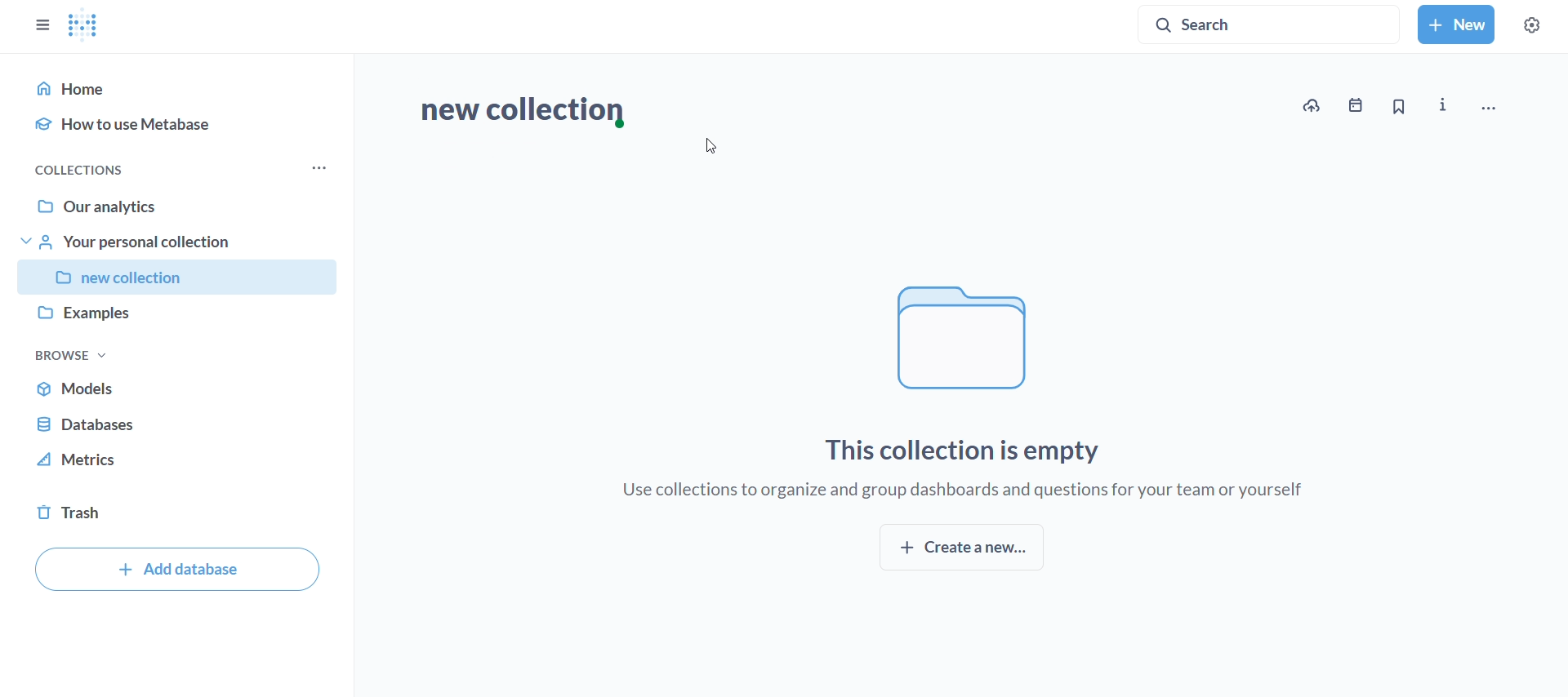 This screenshot has width=1568, height=697. I want to click on metabase logo, so click(85, 25).